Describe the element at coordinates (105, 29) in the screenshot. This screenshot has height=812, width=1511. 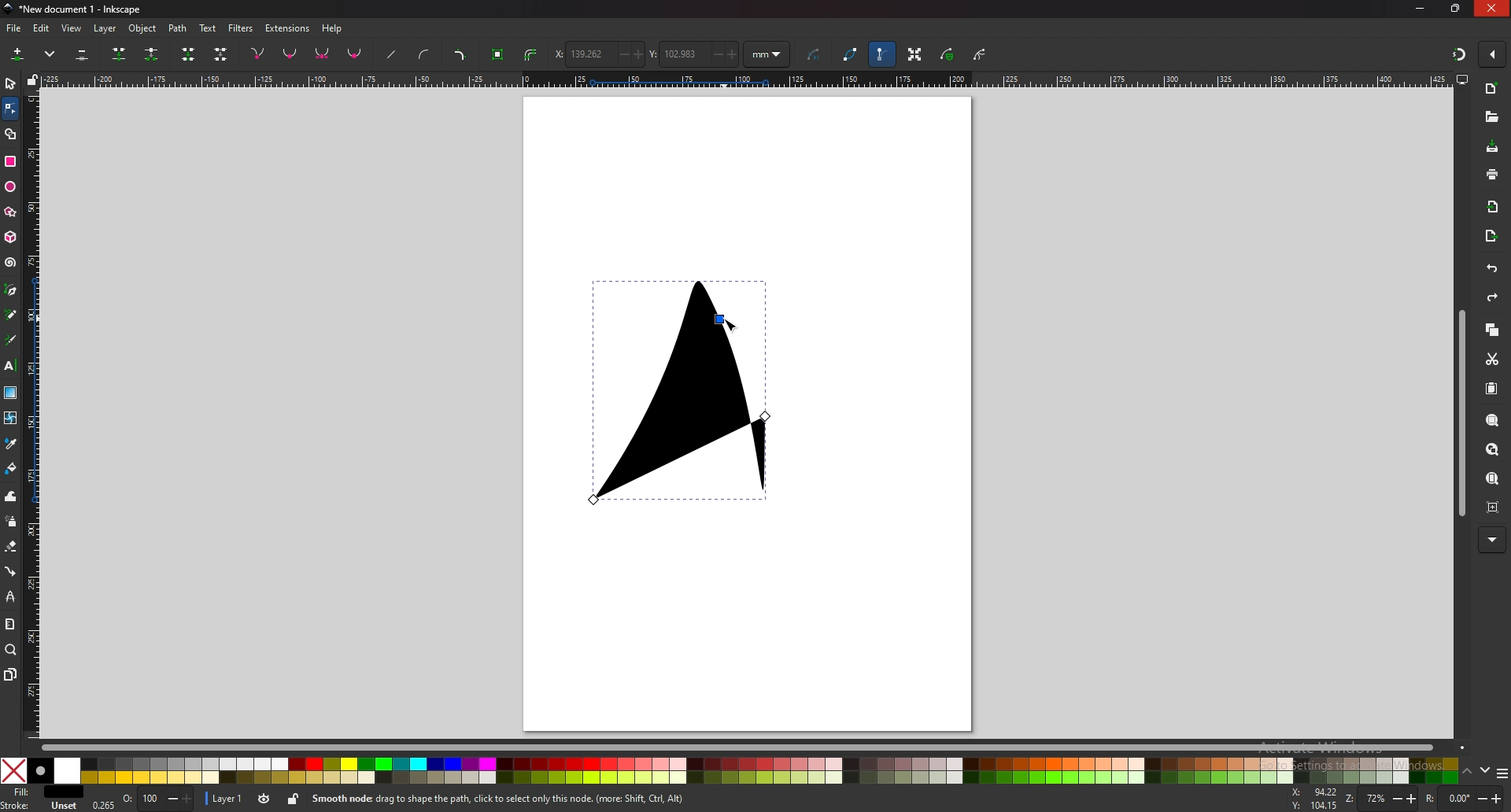
I see `layer` at that location.